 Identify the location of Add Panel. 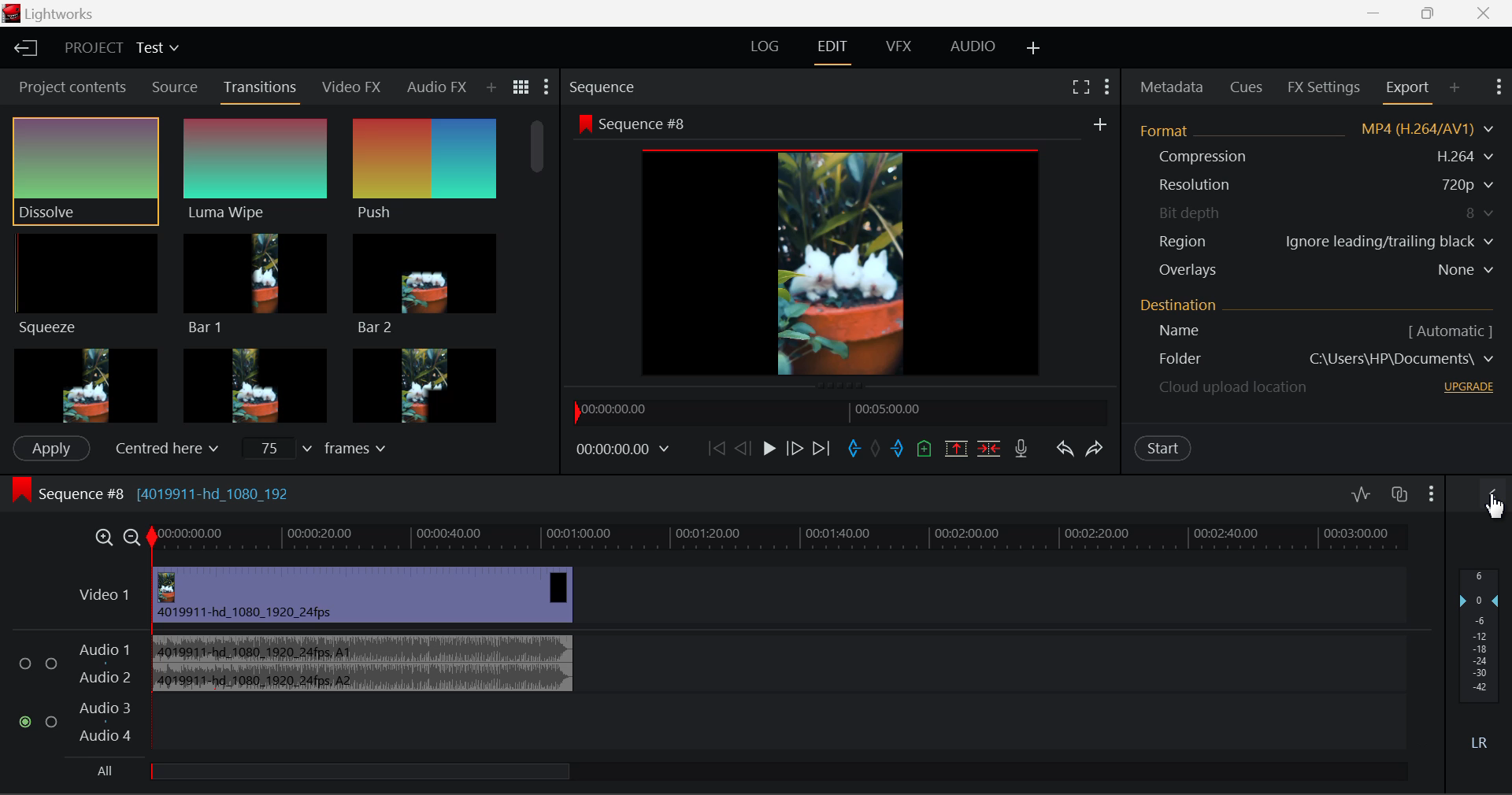
(1452, 87).